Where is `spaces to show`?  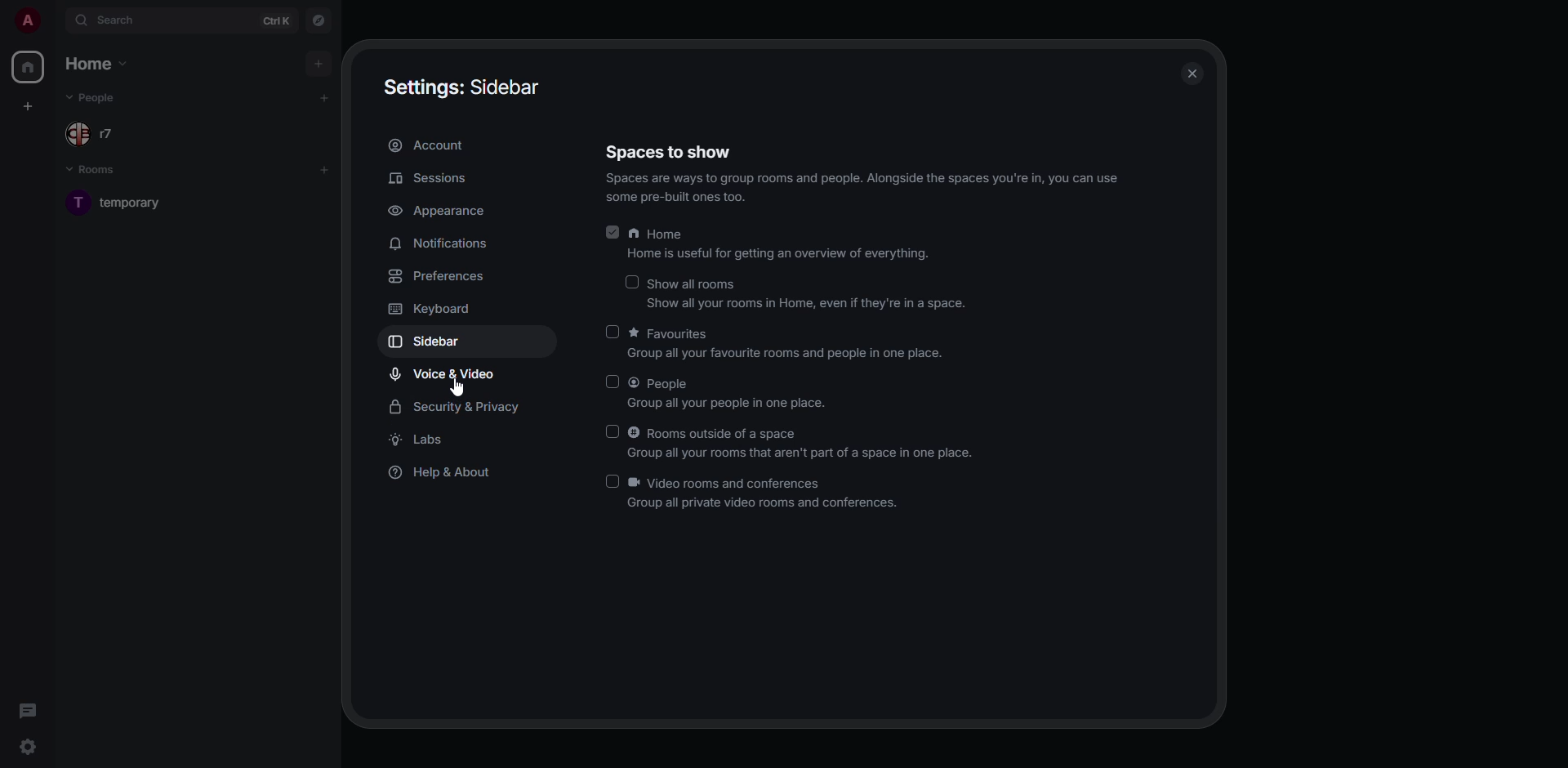 spaces to show is located at coordinates (668, 154).